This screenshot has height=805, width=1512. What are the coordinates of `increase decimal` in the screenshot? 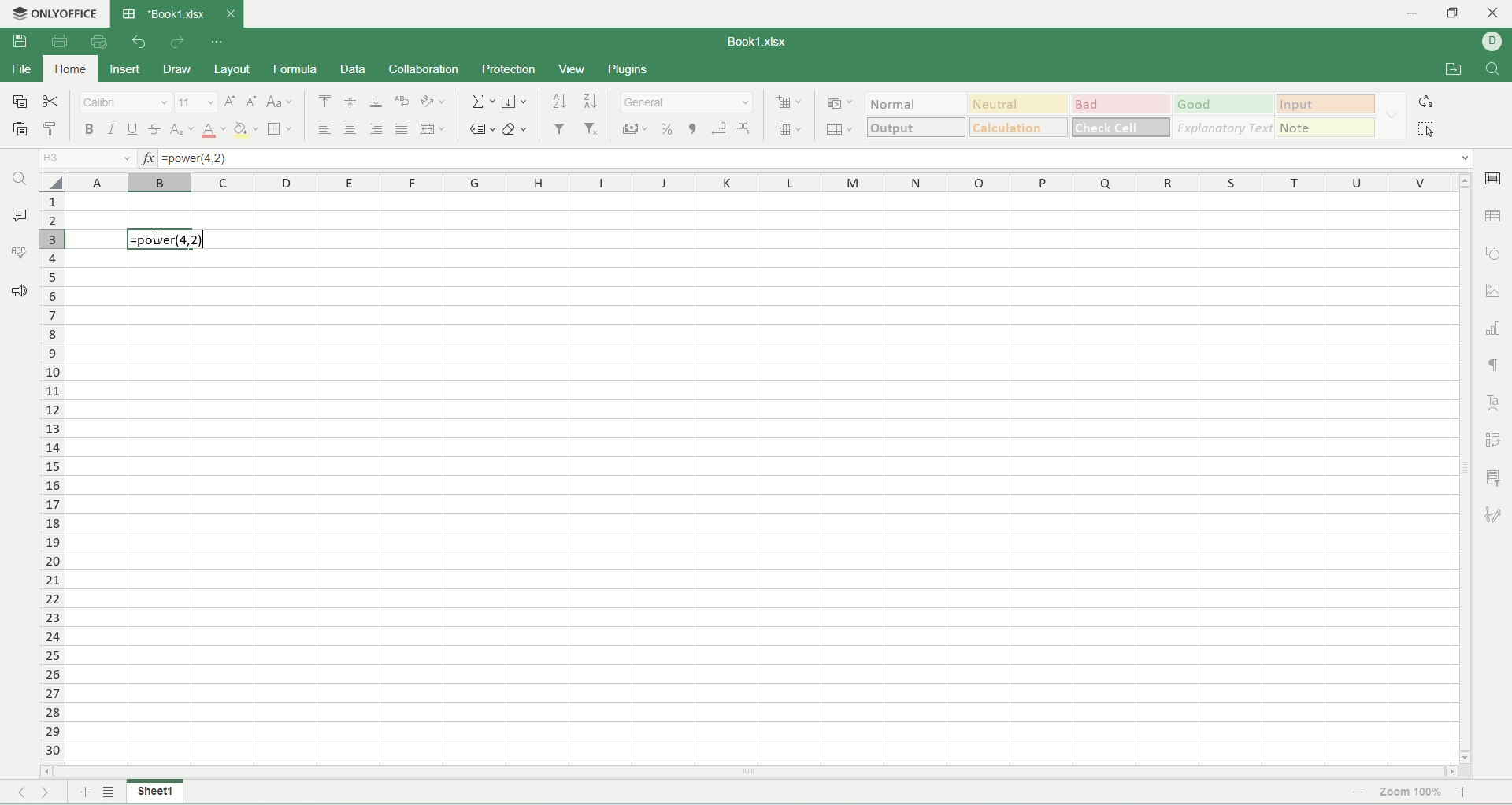 It's located at (746, 129).